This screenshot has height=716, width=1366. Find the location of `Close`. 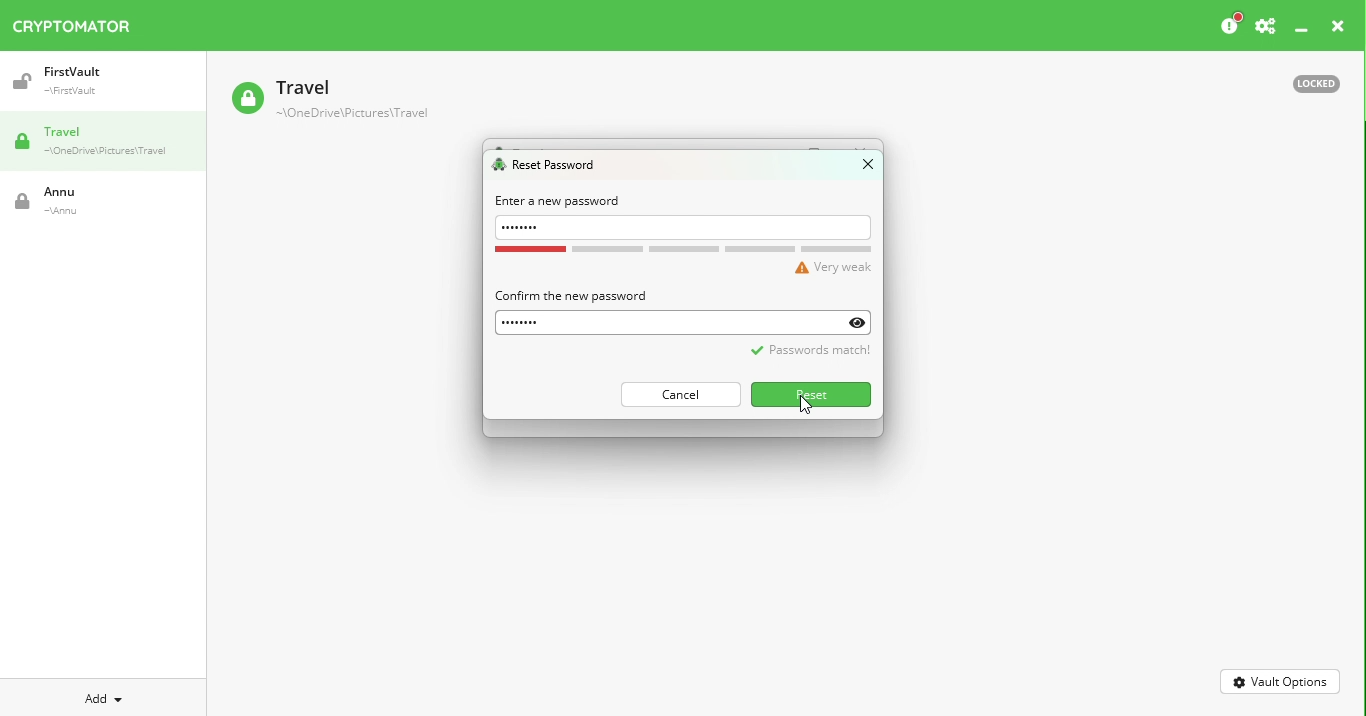

Close is located at coordinates (1338, 29).